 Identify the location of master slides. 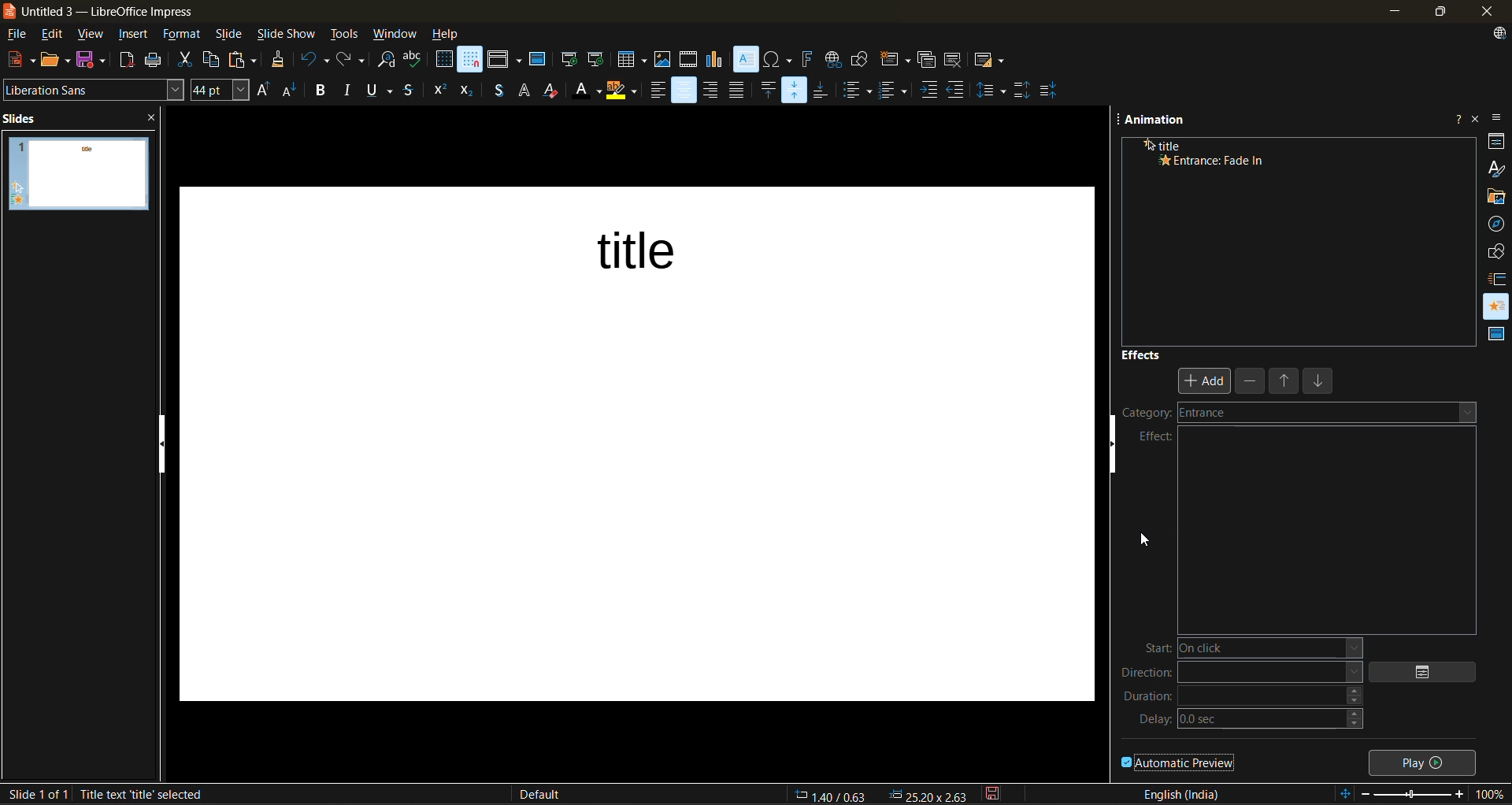
(1493, 335).